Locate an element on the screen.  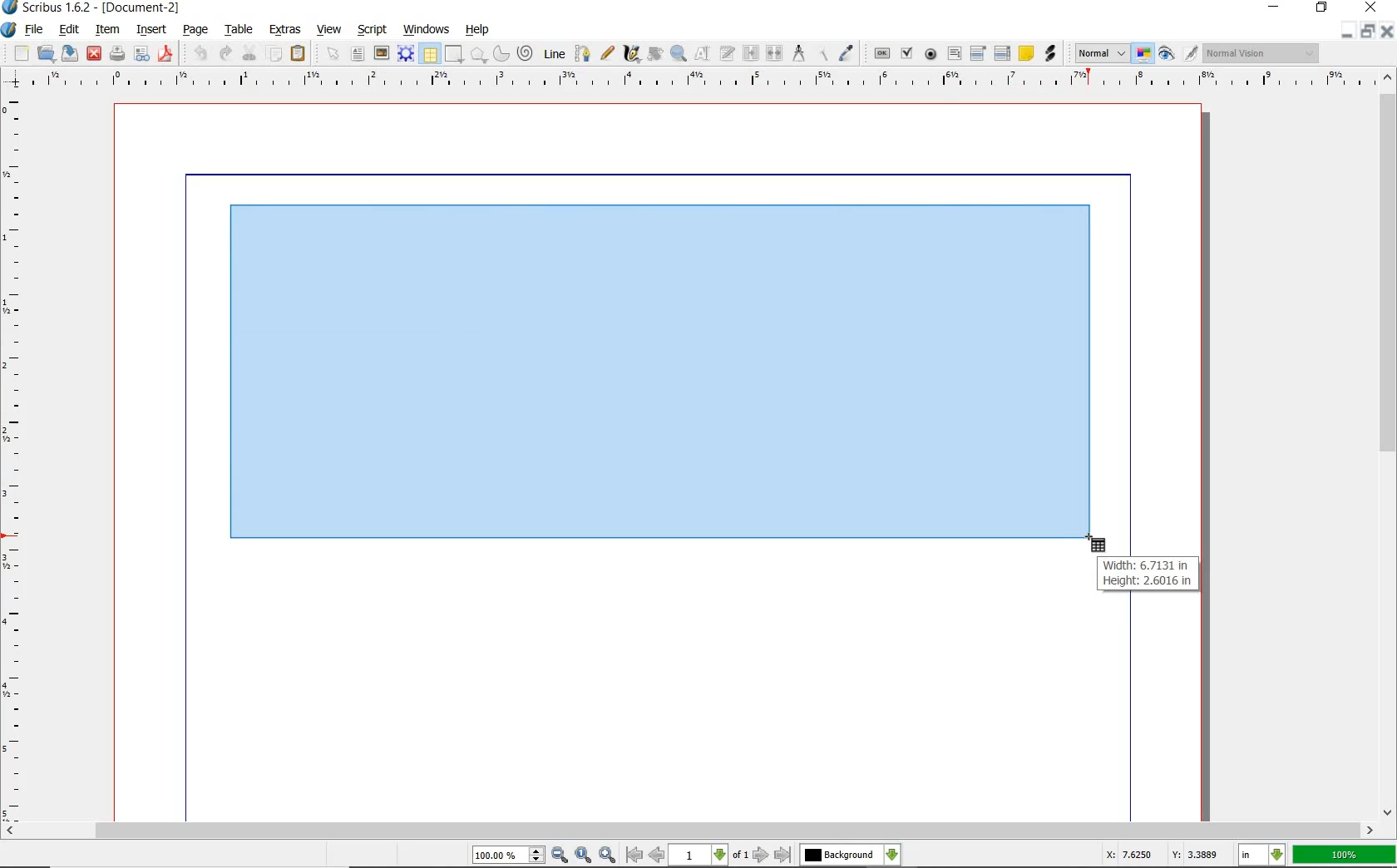
restore is located at coordinates (1322, 8).